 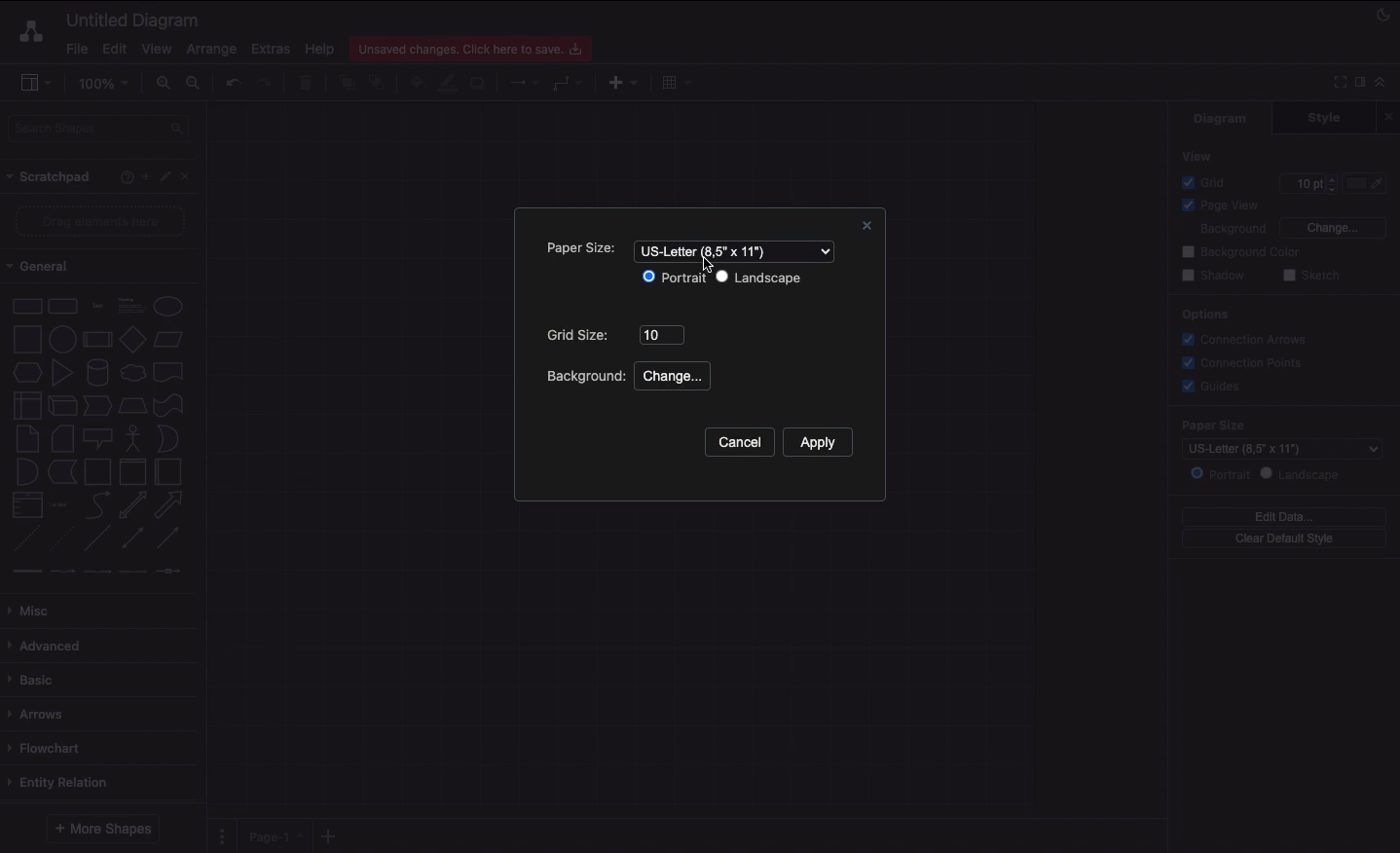 I want to click on Line, so click(x=97, y=539).